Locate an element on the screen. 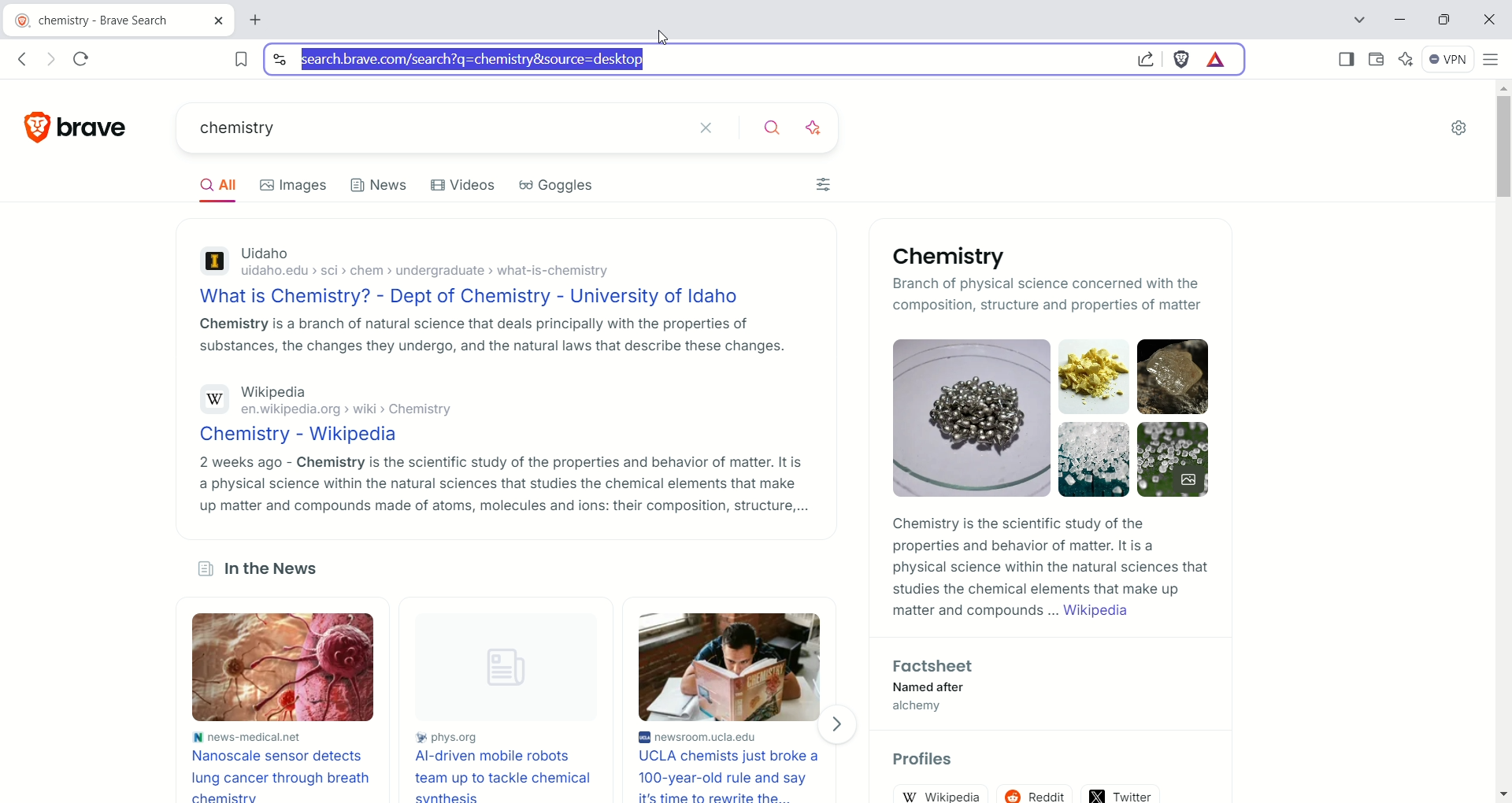  profiles is located at coordinates (926, 760).